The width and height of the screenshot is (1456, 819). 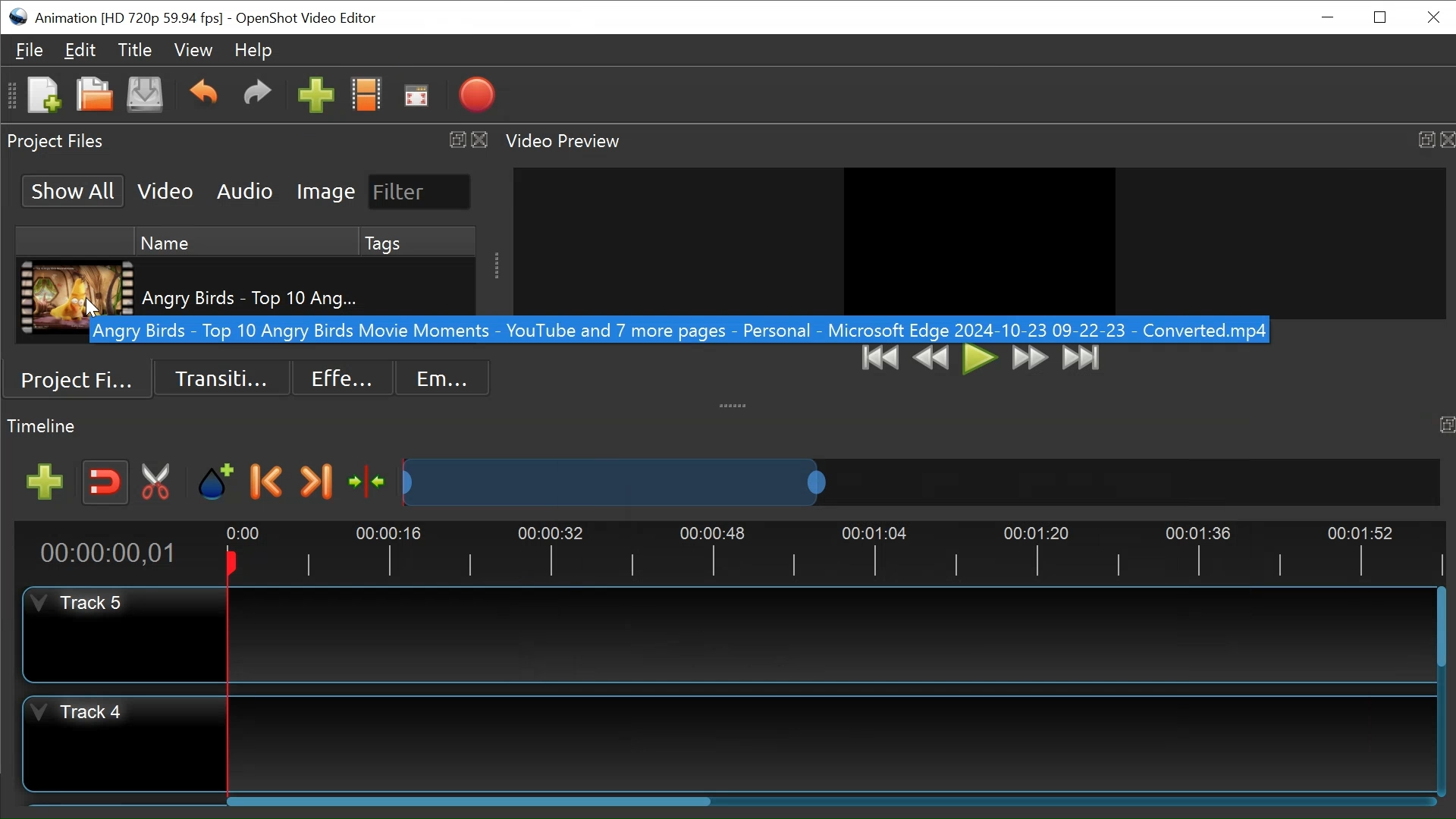 I want to click on Import Files, so click(x=315, y=94).